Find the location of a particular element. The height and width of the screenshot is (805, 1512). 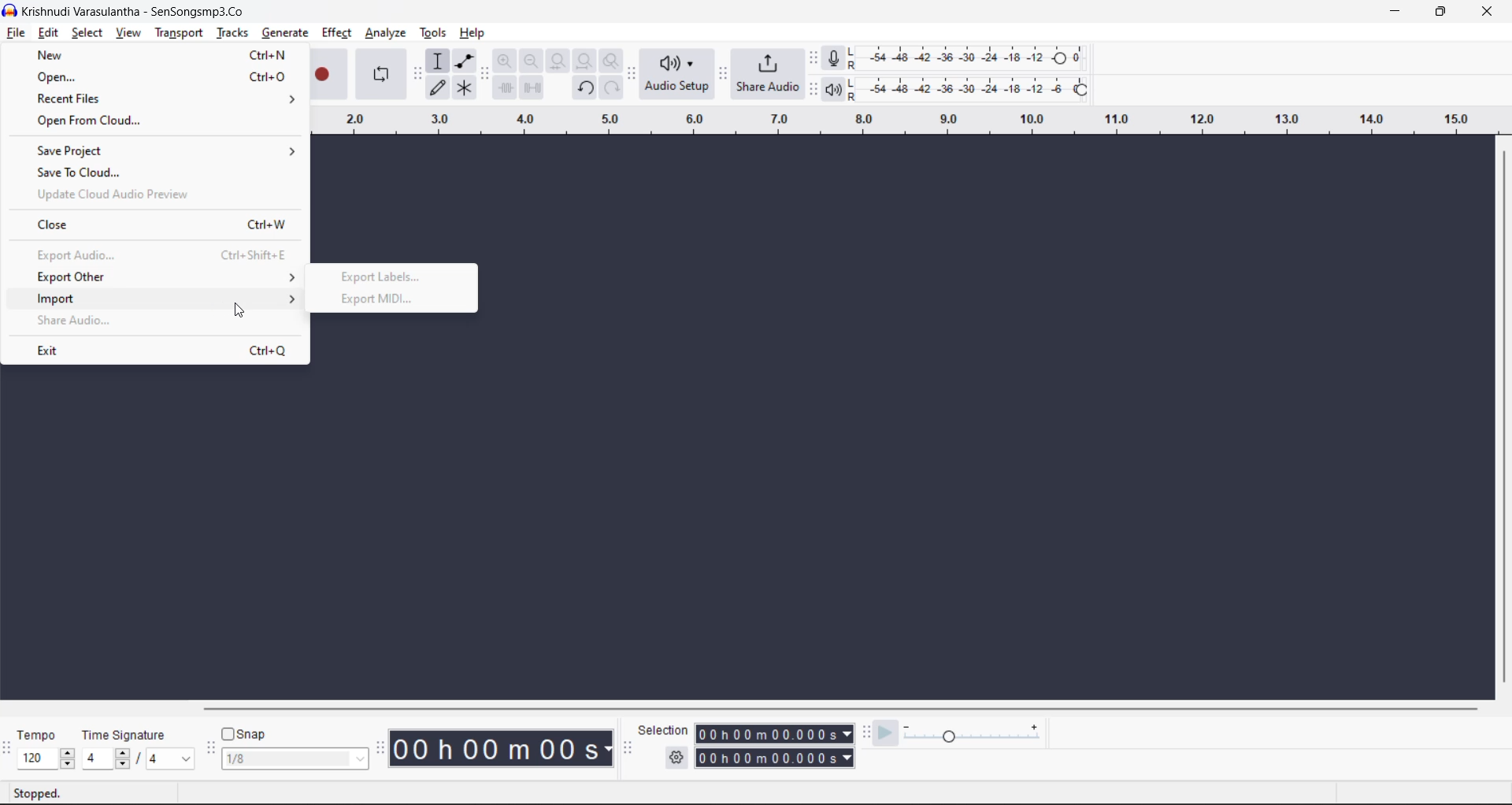

export audio is located at coordinates (165, 255).